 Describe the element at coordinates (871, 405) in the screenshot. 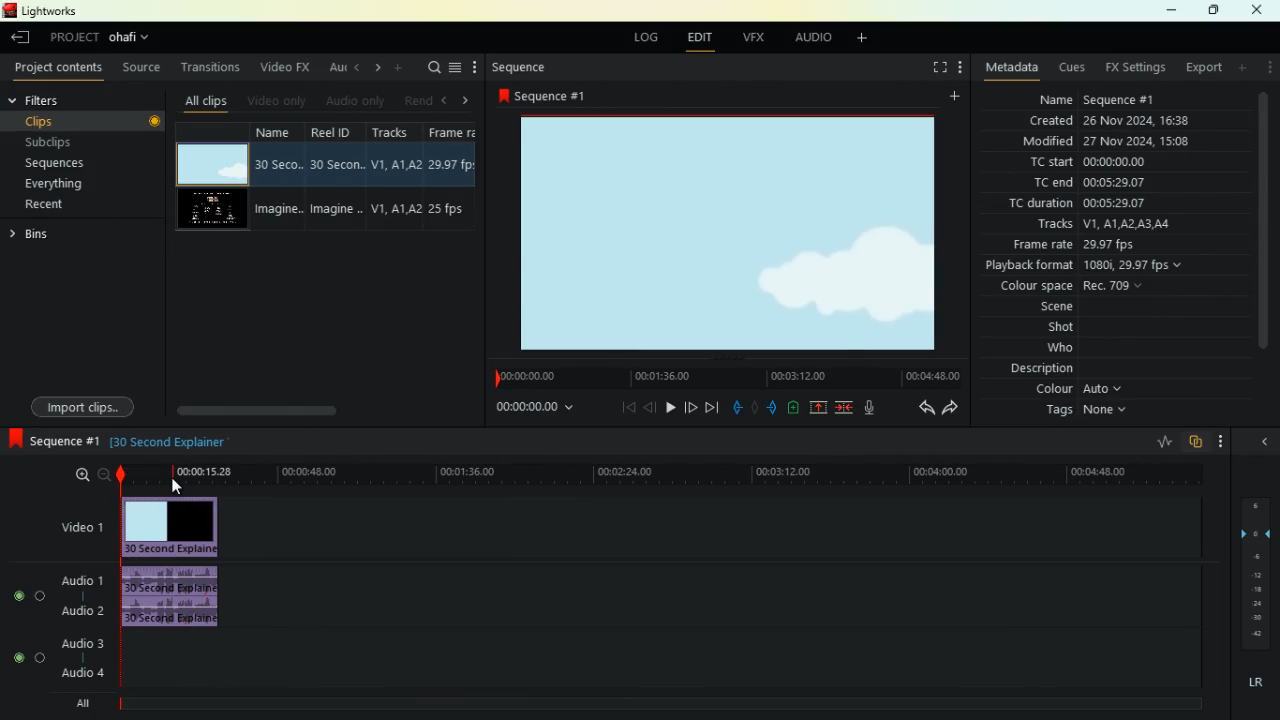

I see `mic` at that location.